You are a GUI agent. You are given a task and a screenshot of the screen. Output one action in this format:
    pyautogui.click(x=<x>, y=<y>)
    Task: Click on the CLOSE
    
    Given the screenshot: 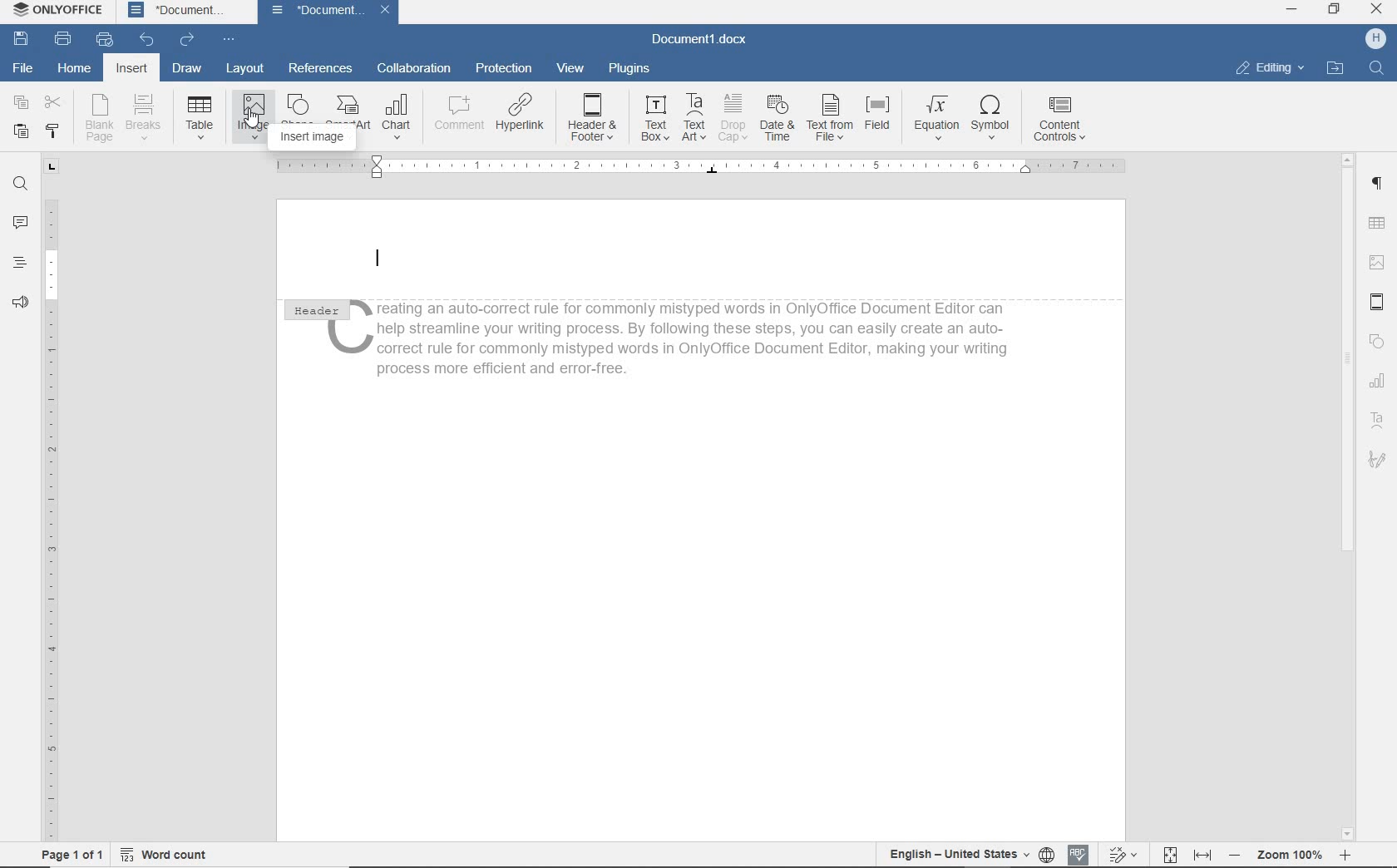 What is the action you would take?
    pyautogui.click(x=1375, y=8)
    